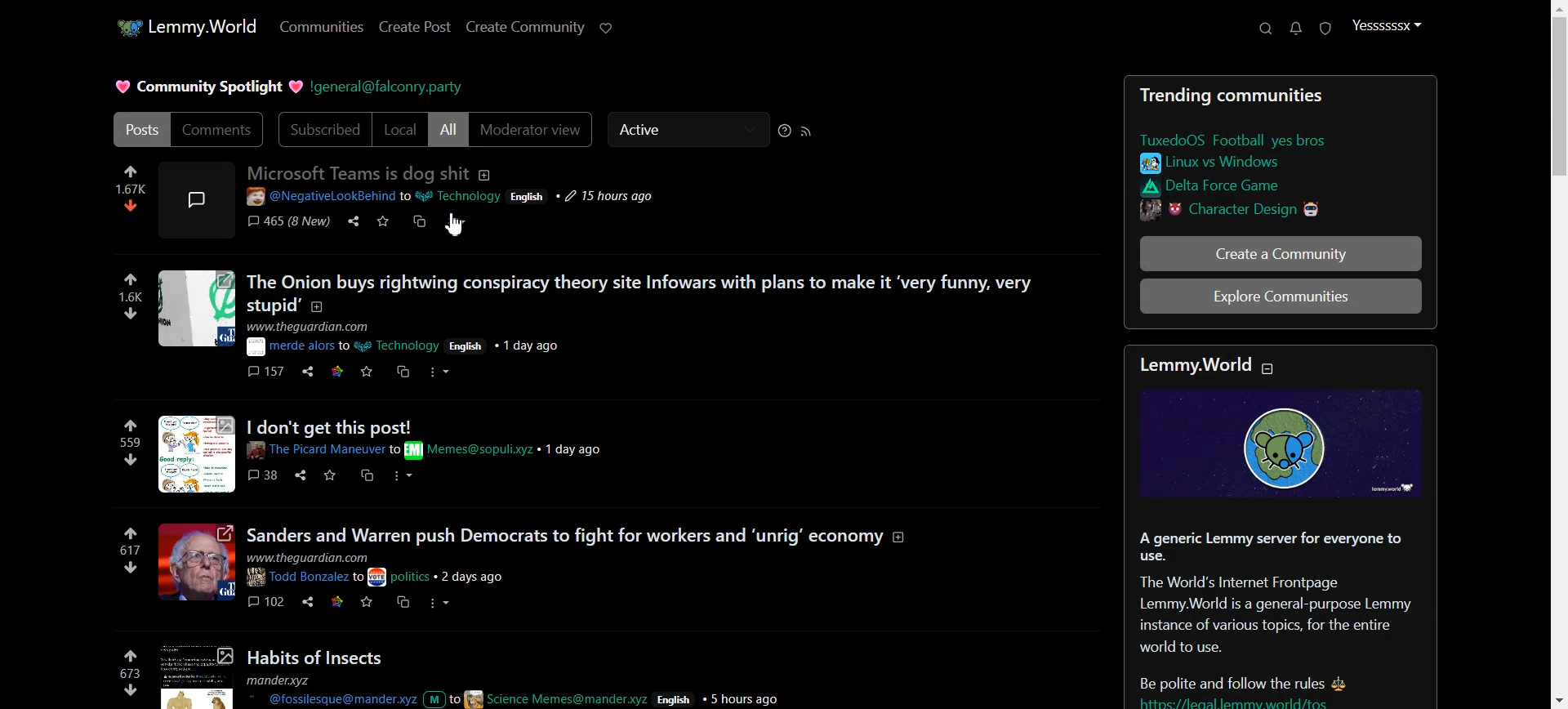 The width and height of the screenshot is (1568, 709). Describe the element at coordinates (134, 314) in the screenshot. I see `dislike` at that location.